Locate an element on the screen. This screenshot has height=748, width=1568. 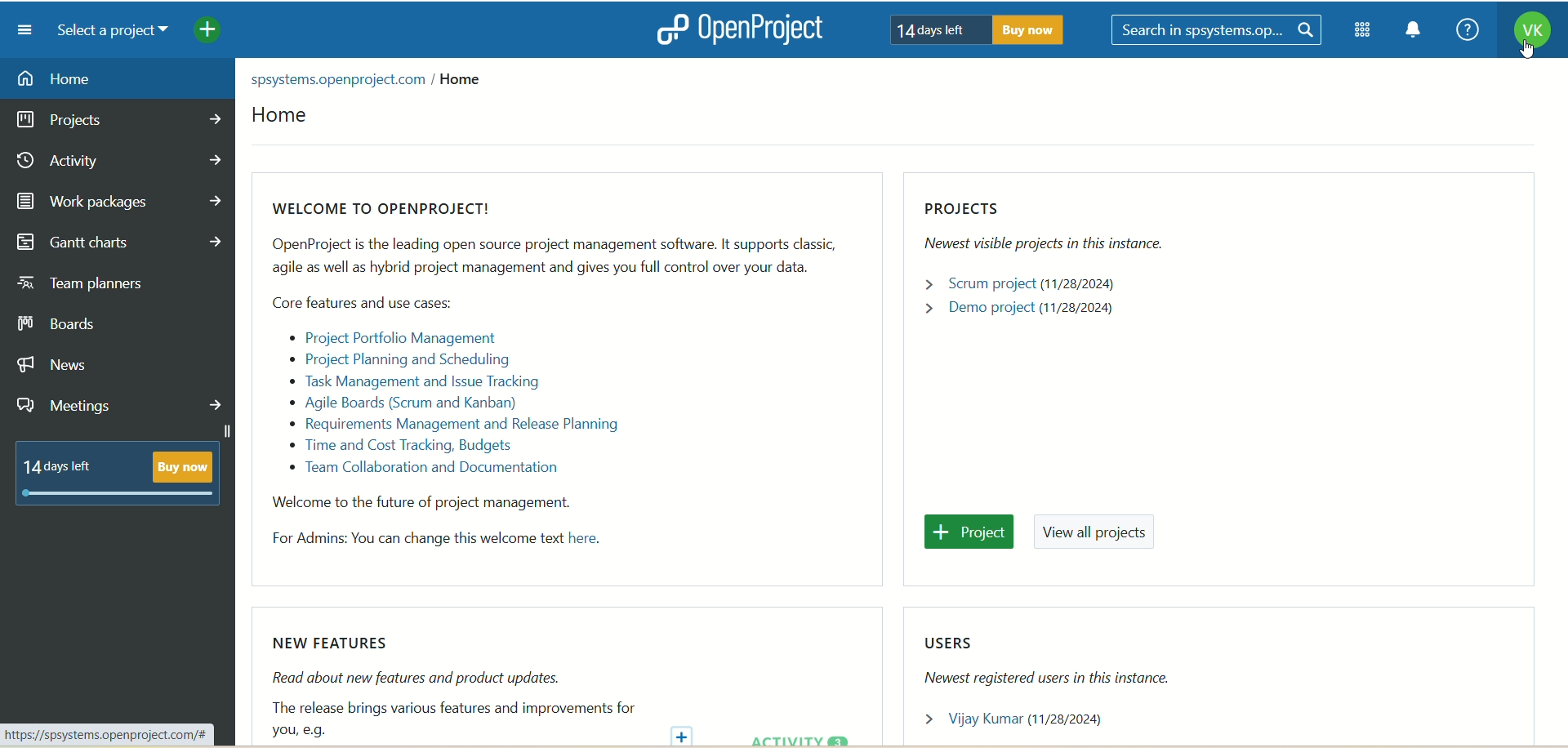
news is located at coordinates (73, 364).